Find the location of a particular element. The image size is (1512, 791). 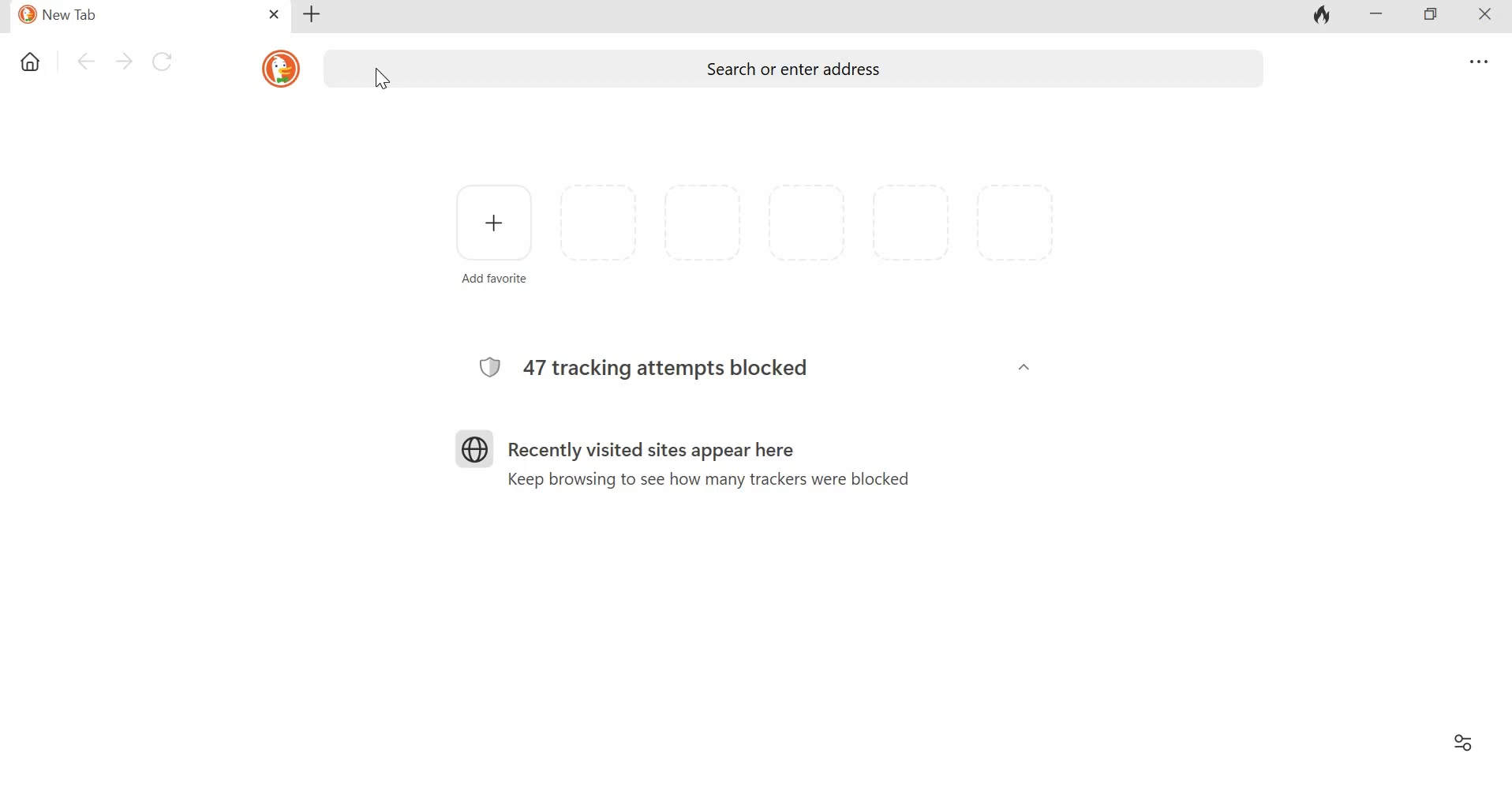

close is located at coordinates (275, 15).